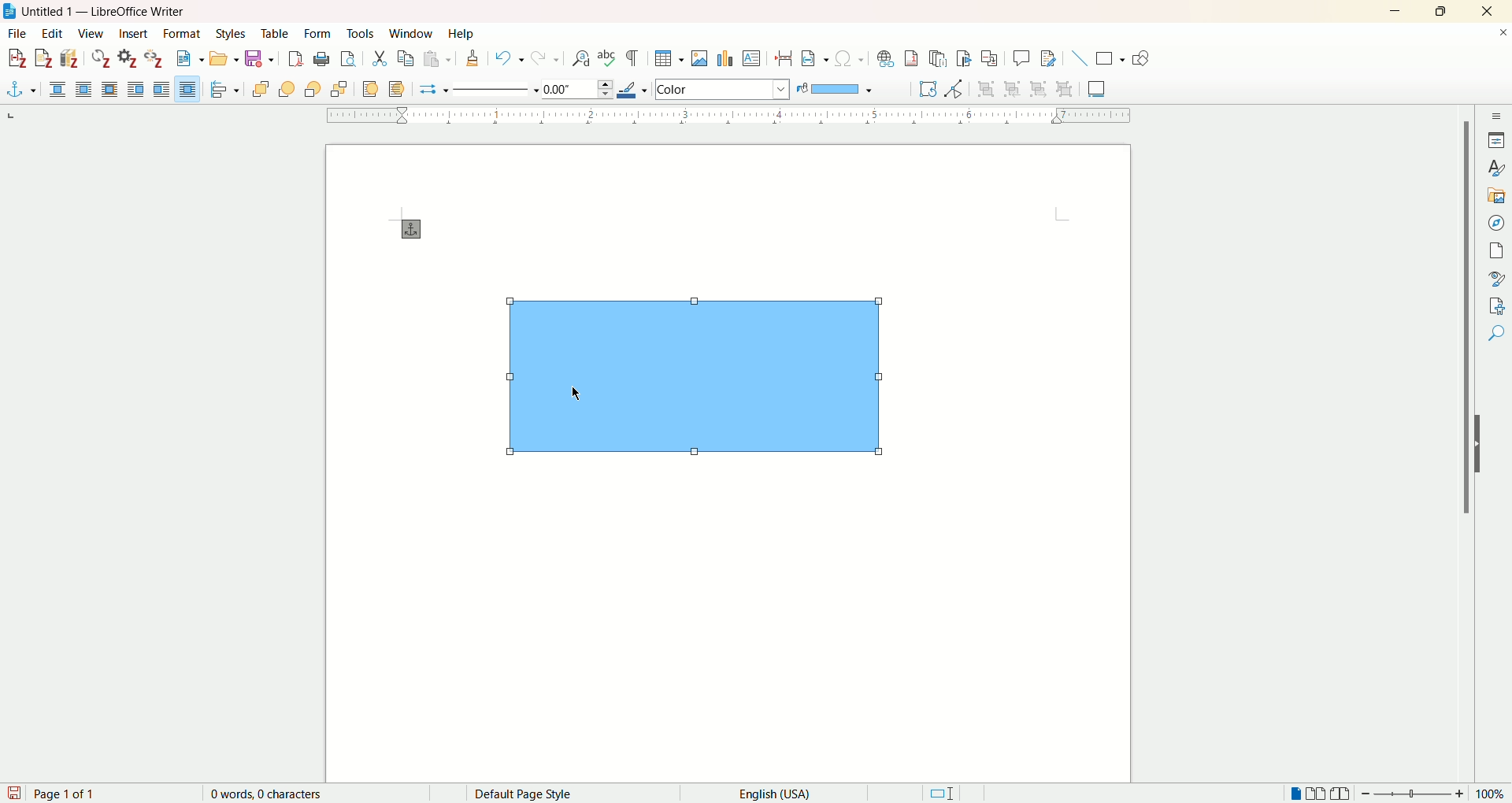  I want to click on insert bookmark, so click(963, 58).